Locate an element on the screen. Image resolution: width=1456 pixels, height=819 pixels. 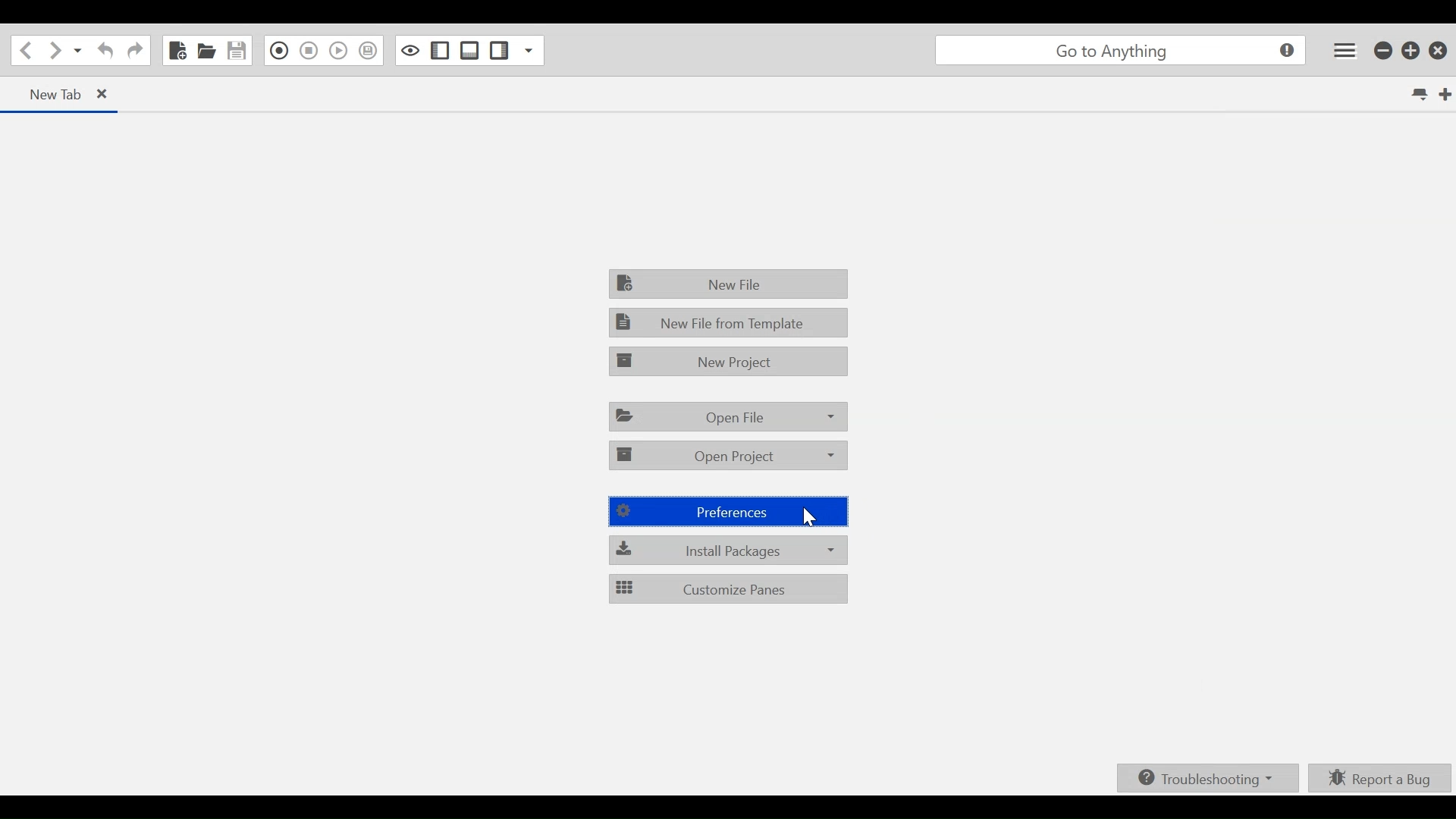
close is located at coordinates (1441, 50).